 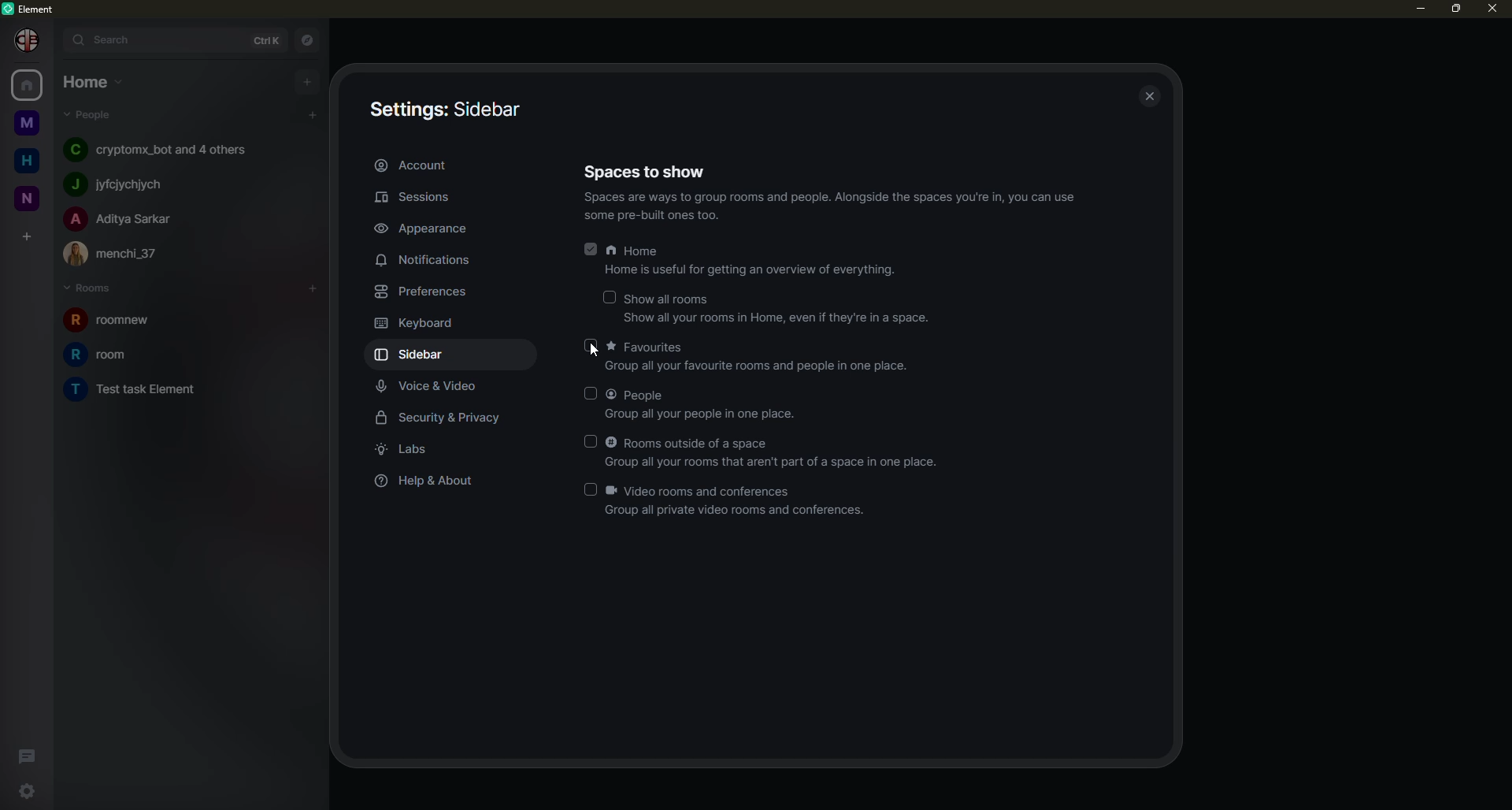 What do you see at coordinates (589, 440) in the screenshot?
I see `click to enable` at bounding box center [589, 440].